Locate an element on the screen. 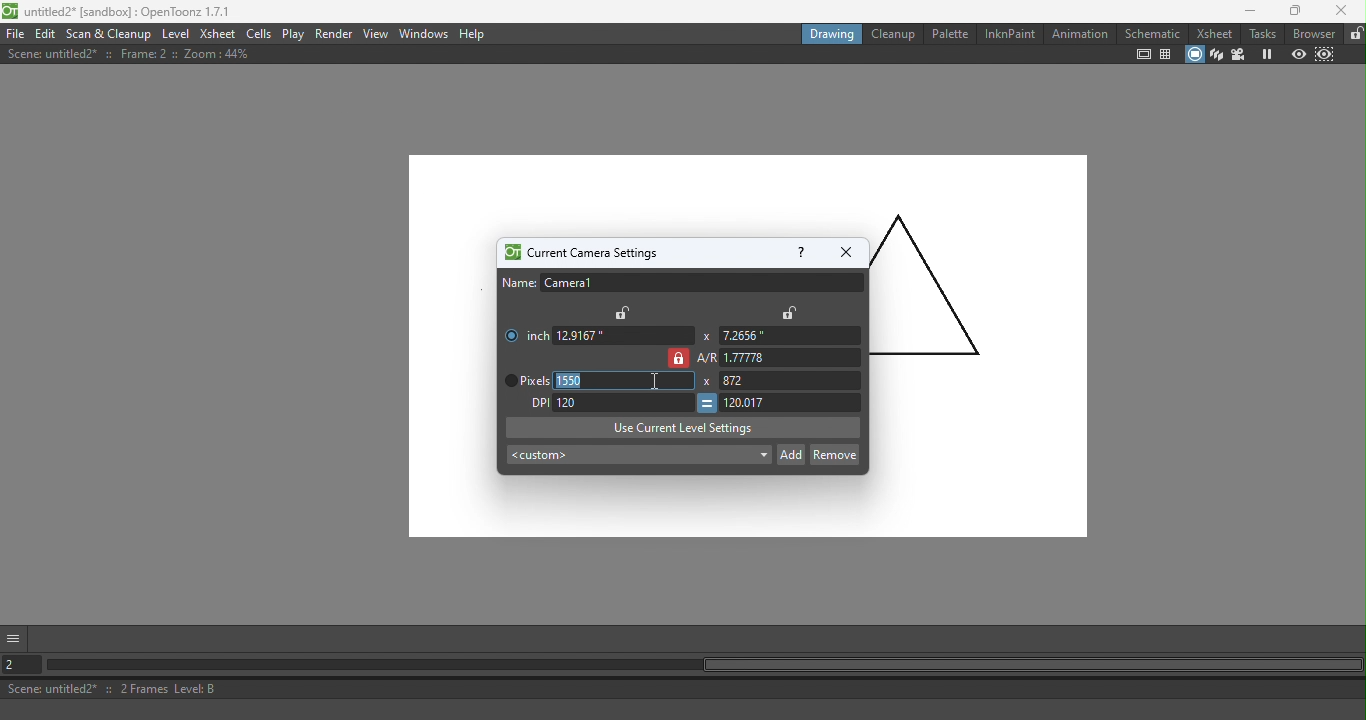  InknPaint is located at coordinates (1011, 34).